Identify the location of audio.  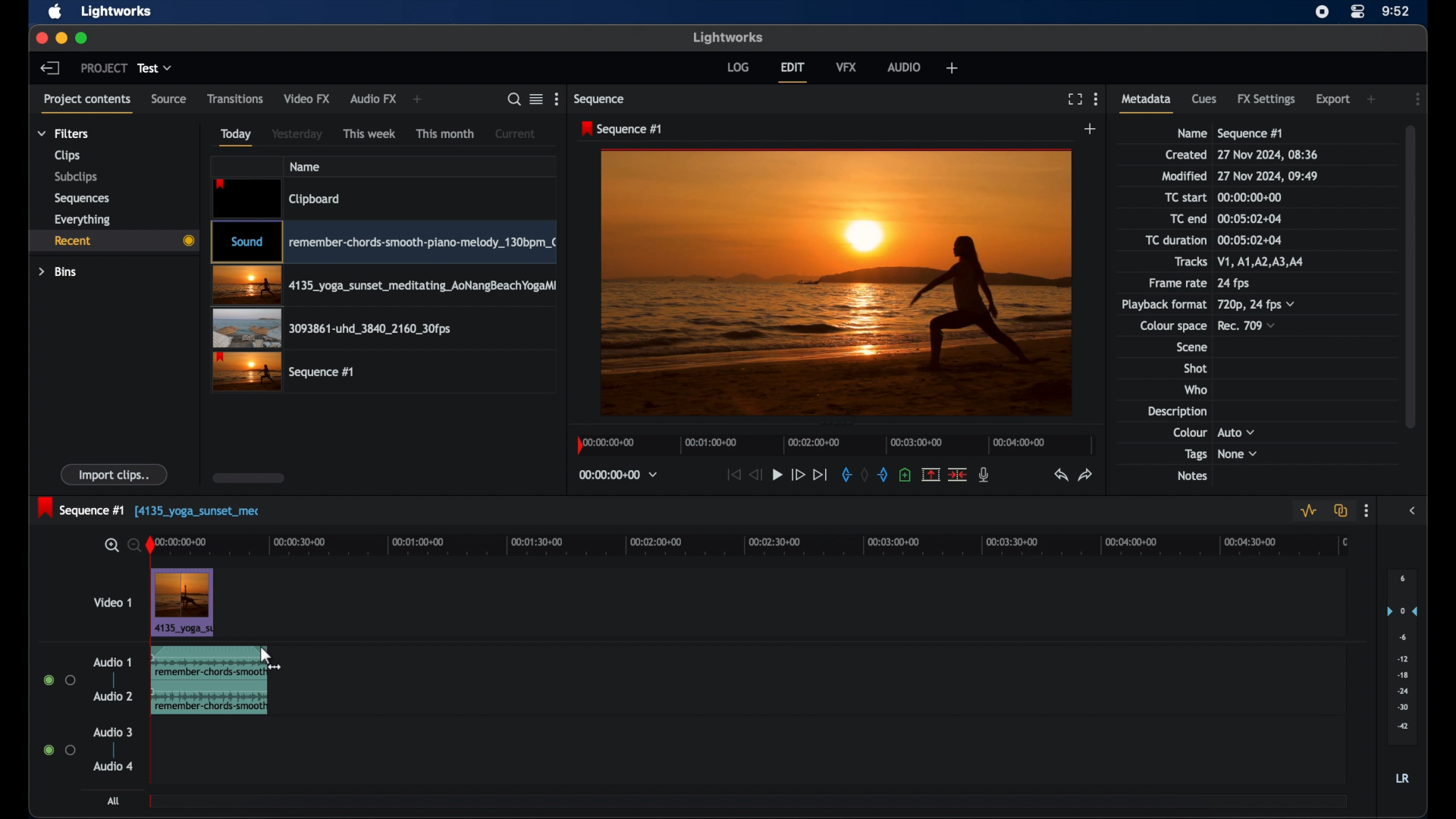
(905, 67).